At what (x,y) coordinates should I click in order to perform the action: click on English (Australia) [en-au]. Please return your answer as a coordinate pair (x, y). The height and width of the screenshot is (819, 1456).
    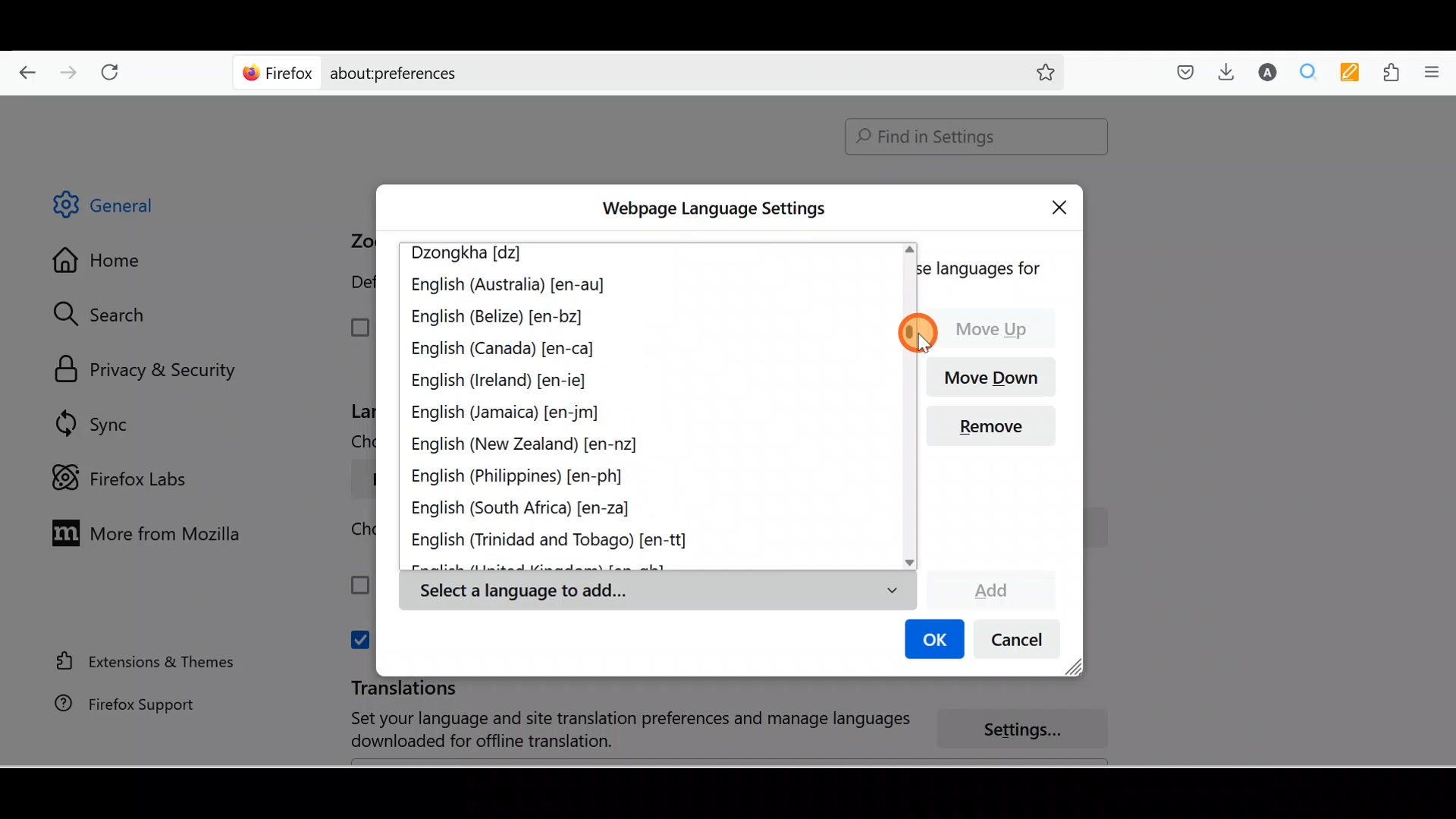
    Looking at the image, I should click on (510, 287).